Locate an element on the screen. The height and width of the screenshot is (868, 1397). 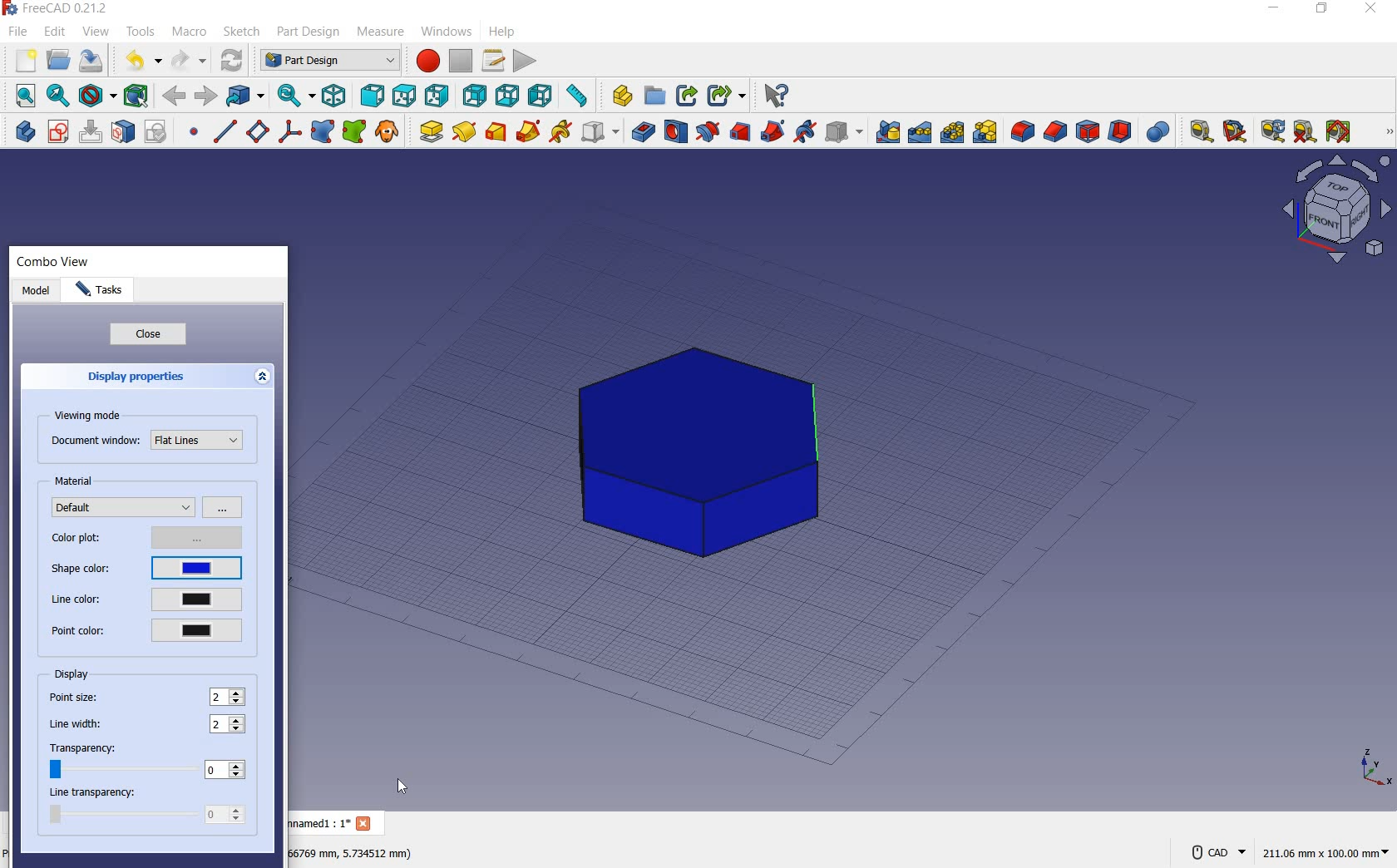
RESTORE DOWN is located at coordinates (1323, 11).